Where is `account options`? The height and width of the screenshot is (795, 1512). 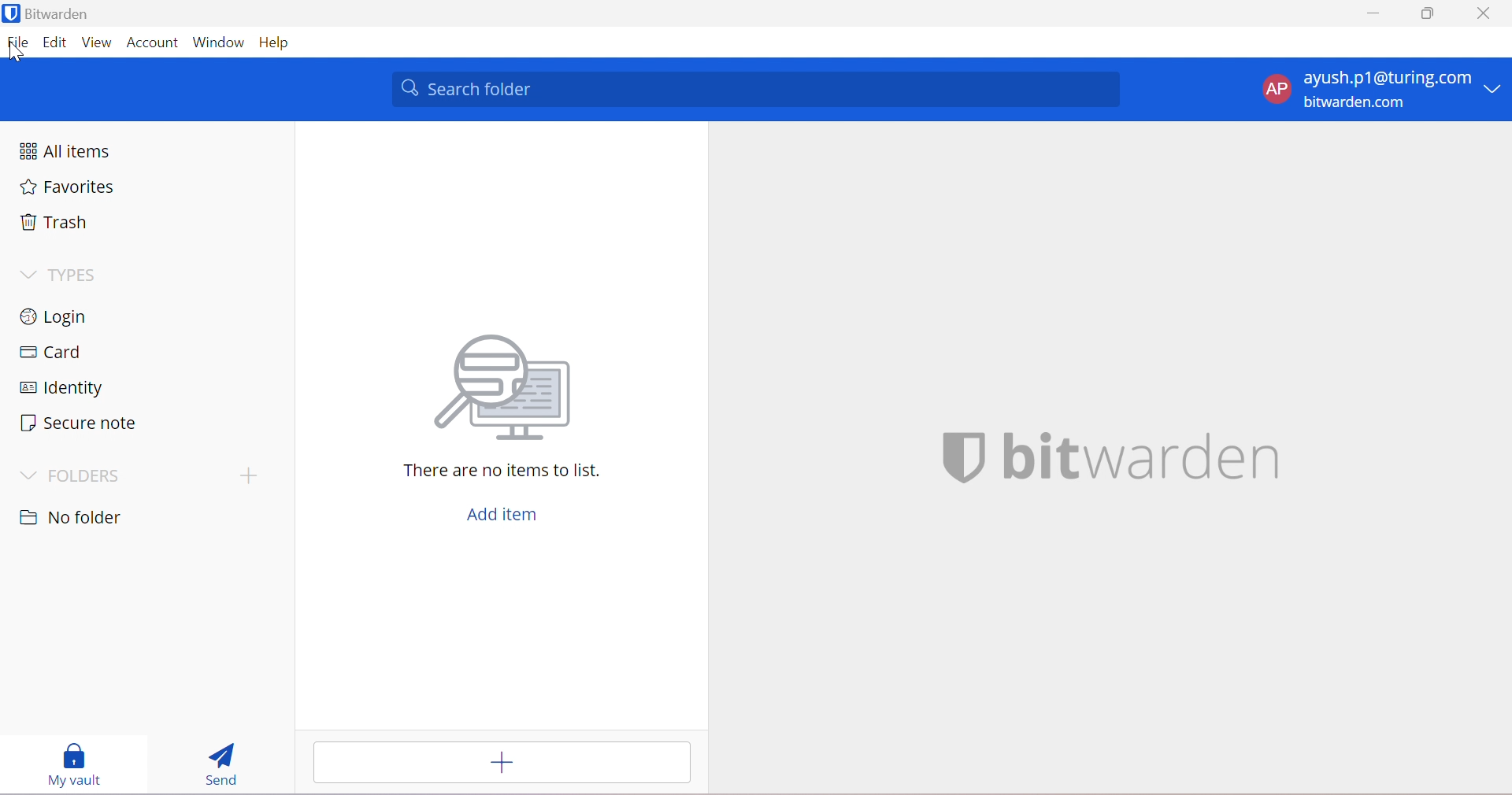 account options is located at coordinates (1384, 91).